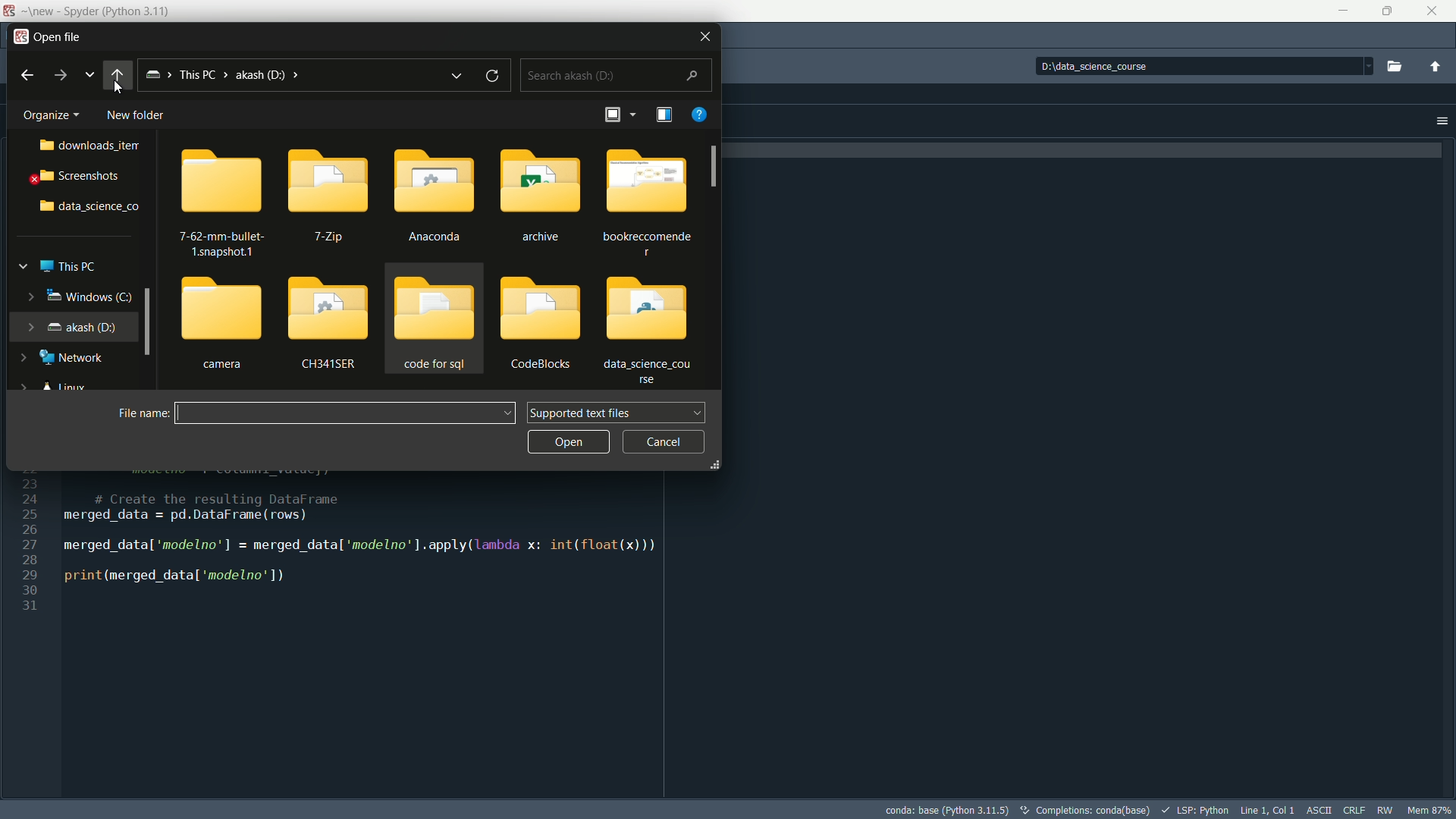 This screenshot has height=819, width=1456. What do you see at coordinates (218, 206) in the screenshot?
I see `7-62-mm-bullet-
1.snapshot.1` at bounding box center [218, 206].